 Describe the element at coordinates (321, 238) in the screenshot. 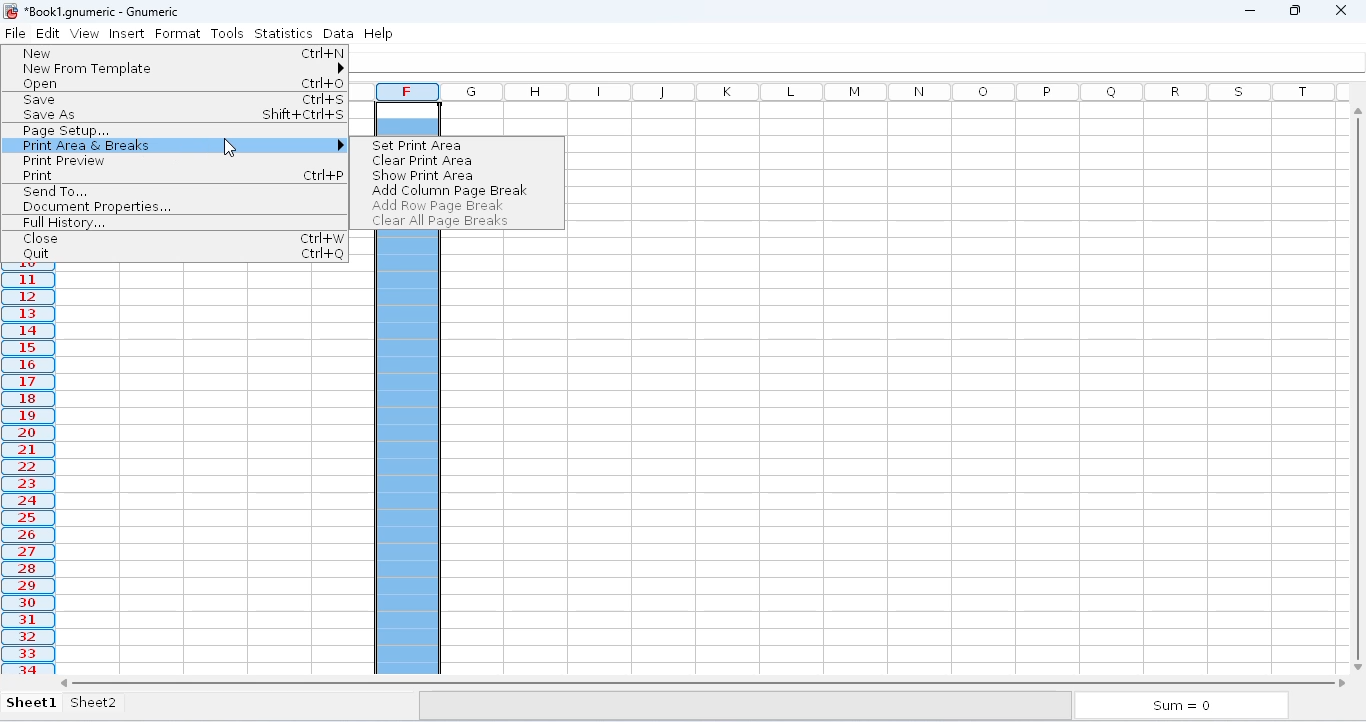

I see `shortcut for close` at that location.